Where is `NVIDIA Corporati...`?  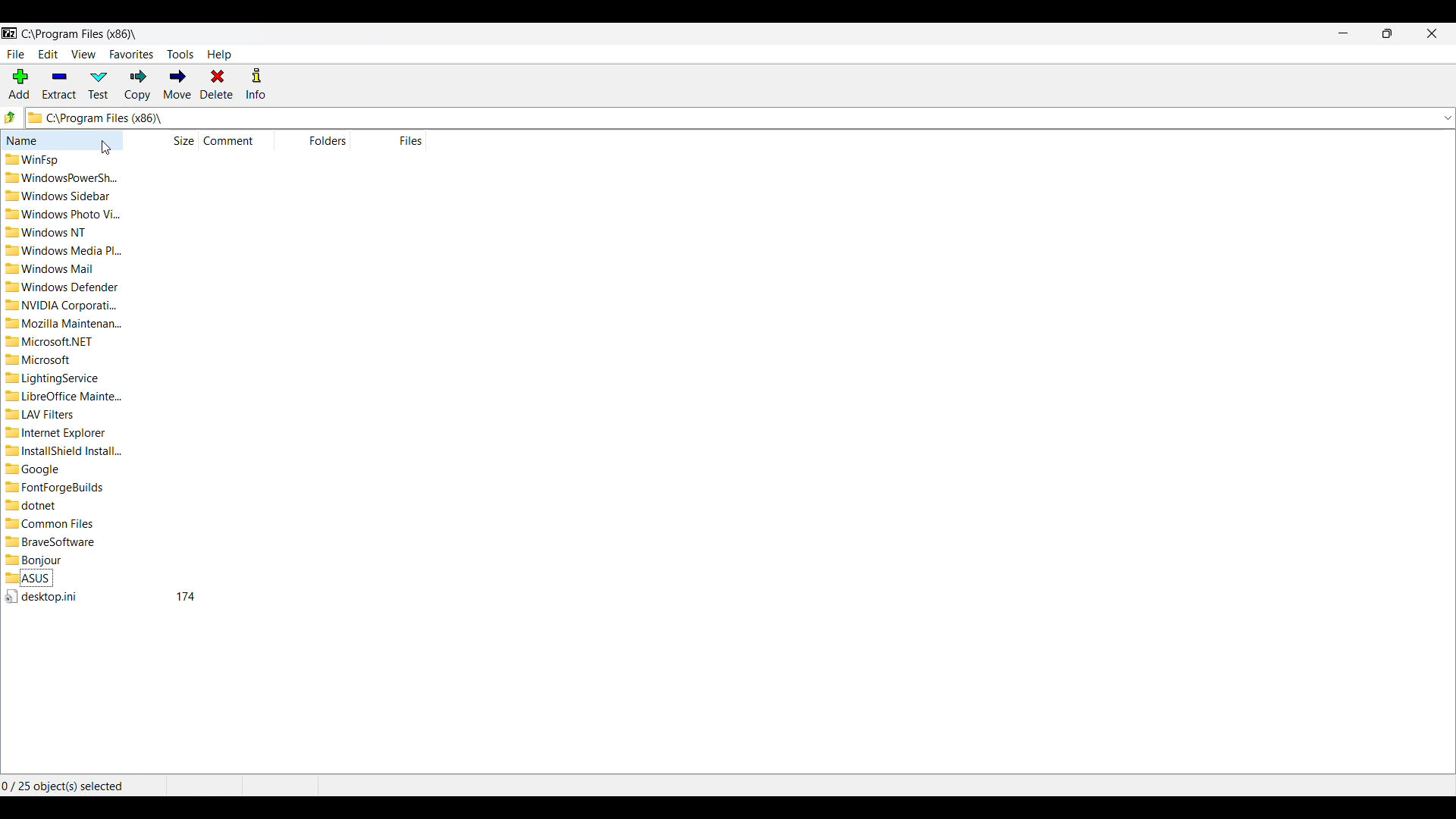
NVIDIA Corporati... is located at coordinates (62, 305).